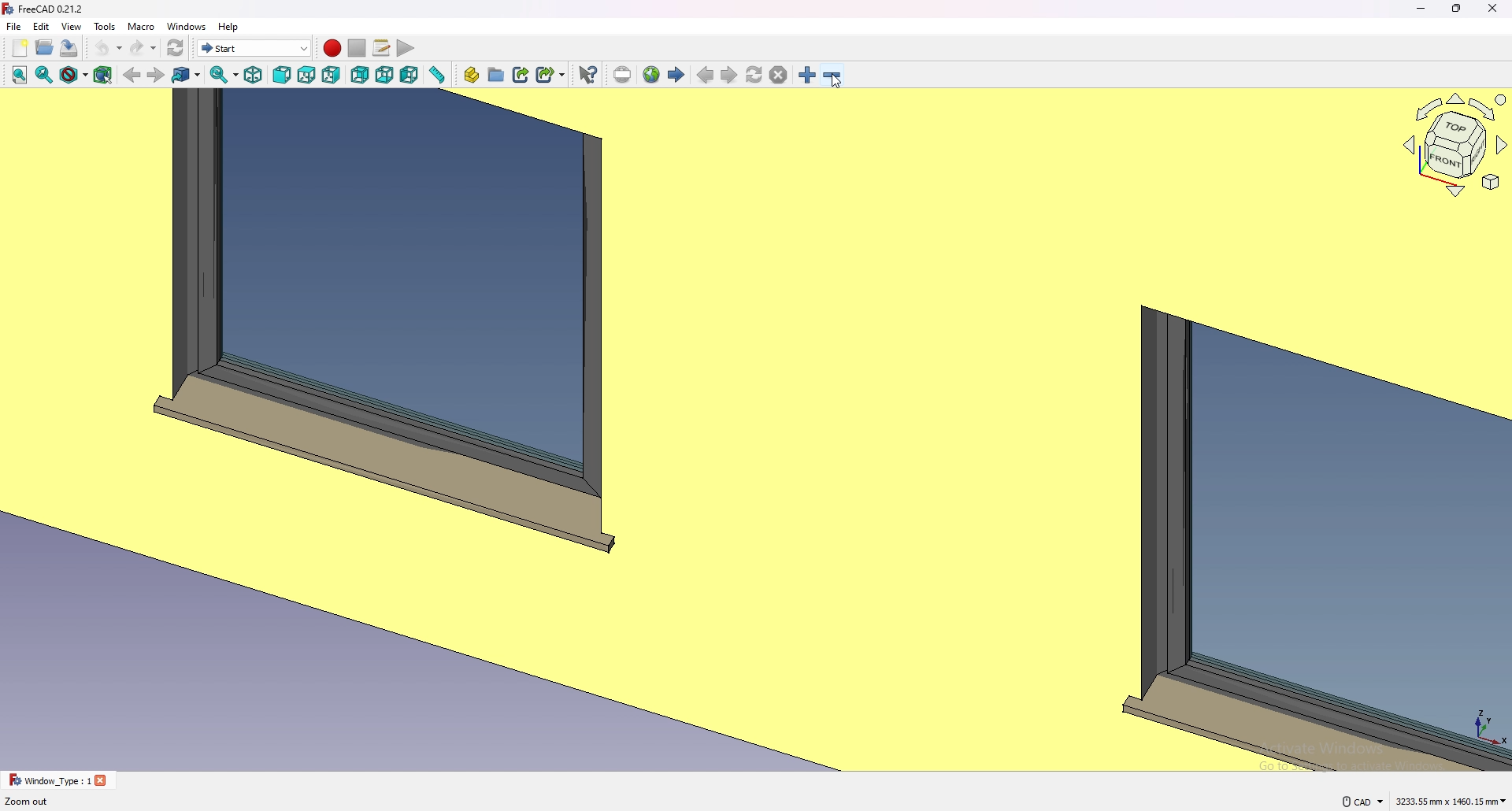  What do you see at coordinates (132, 75) in the screenshot?
I see `back` at bounding box center [132, 75].